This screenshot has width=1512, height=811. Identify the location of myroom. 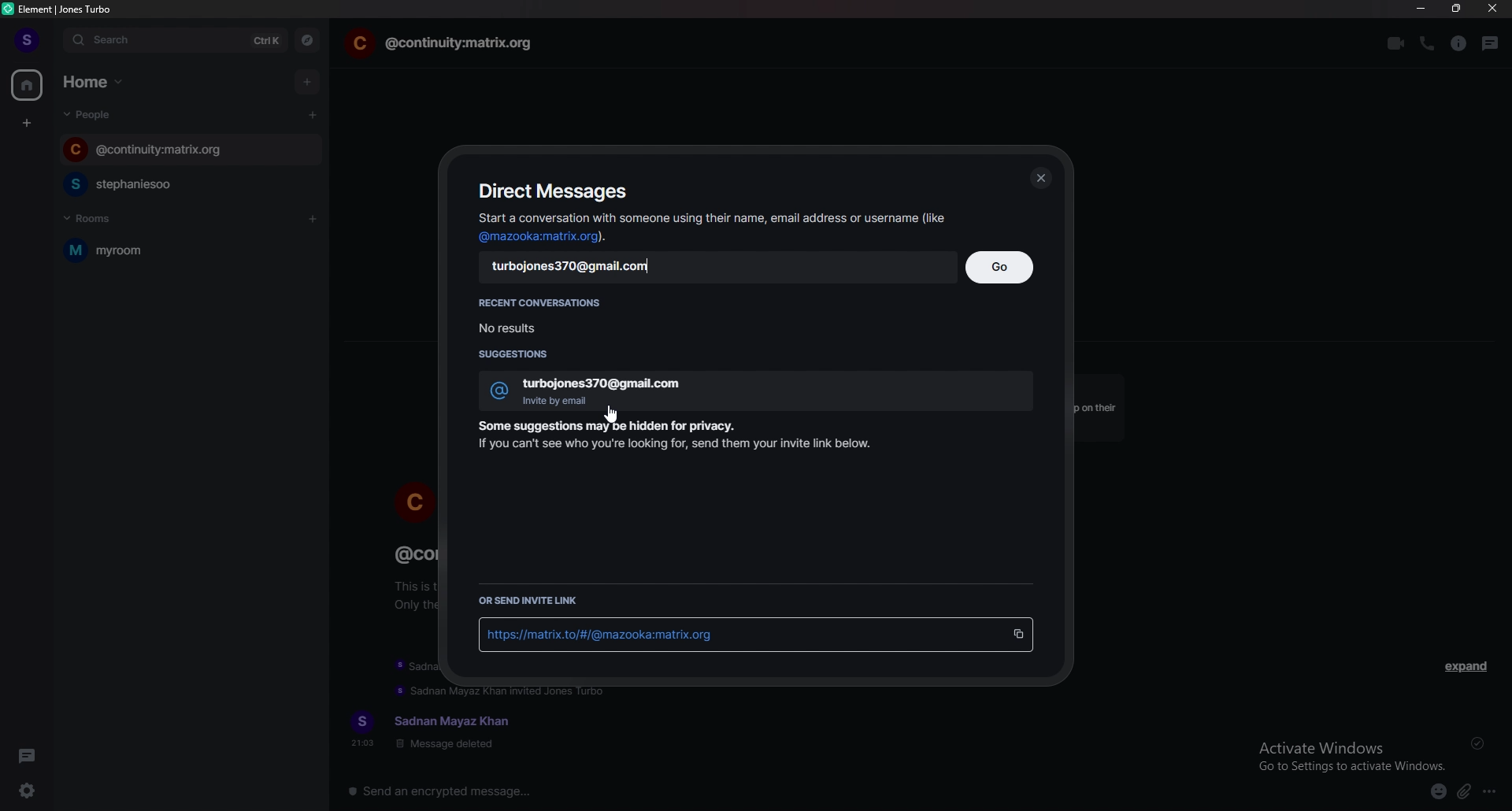
(153, 250).